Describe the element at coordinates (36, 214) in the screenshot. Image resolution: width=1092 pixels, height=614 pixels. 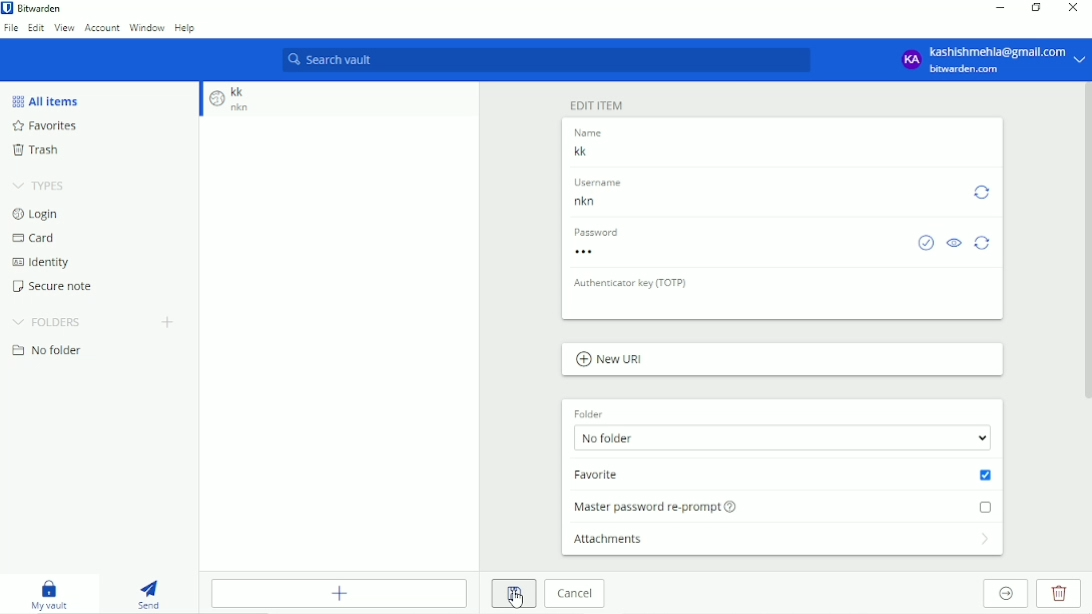
I see `Login` at that location.